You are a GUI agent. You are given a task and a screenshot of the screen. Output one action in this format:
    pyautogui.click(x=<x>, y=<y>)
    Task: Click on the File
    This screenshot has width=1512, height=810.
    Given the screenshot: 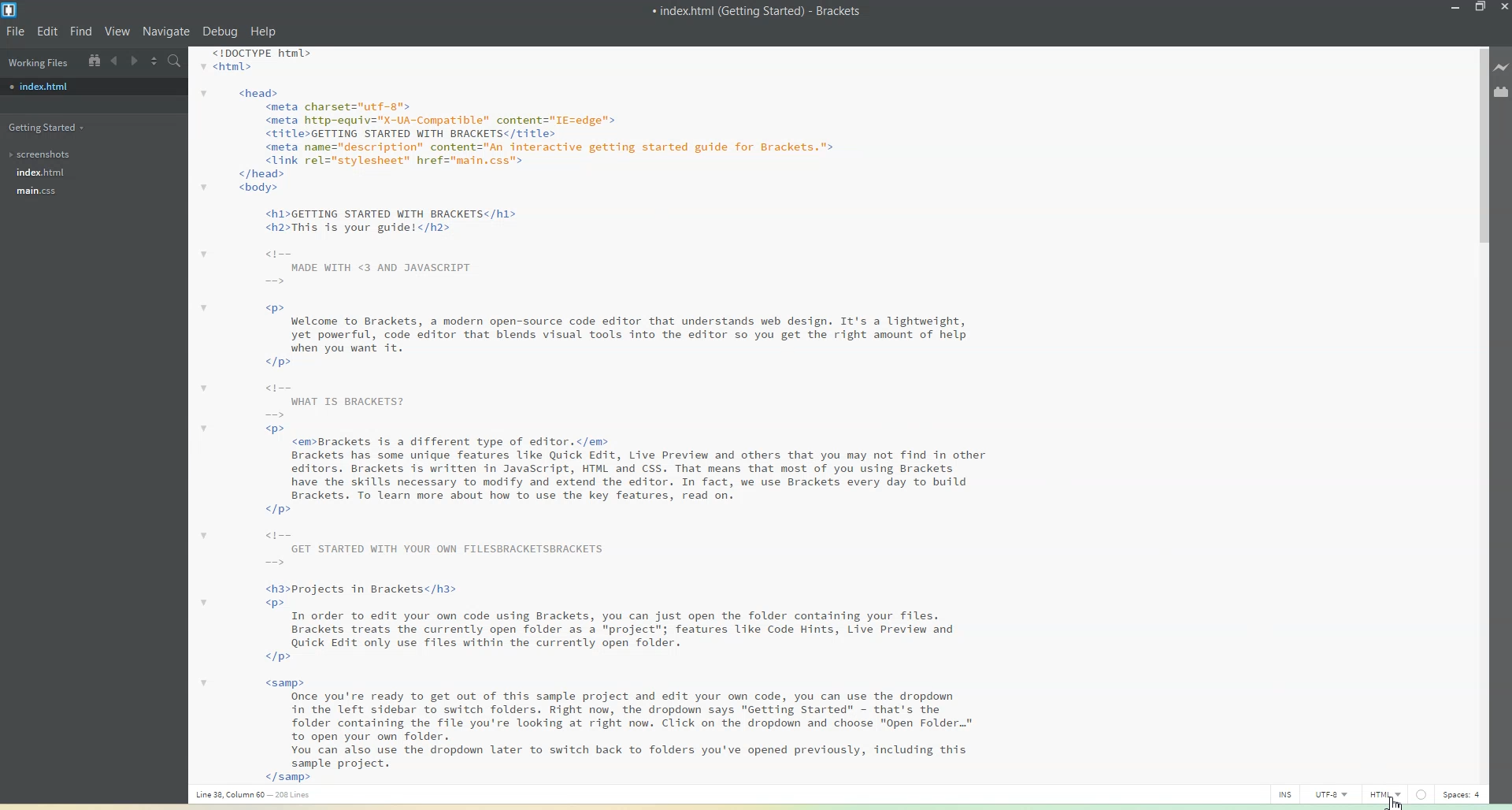 What is the action you would take?
    pyautogui.click(x=15, y=31)
    